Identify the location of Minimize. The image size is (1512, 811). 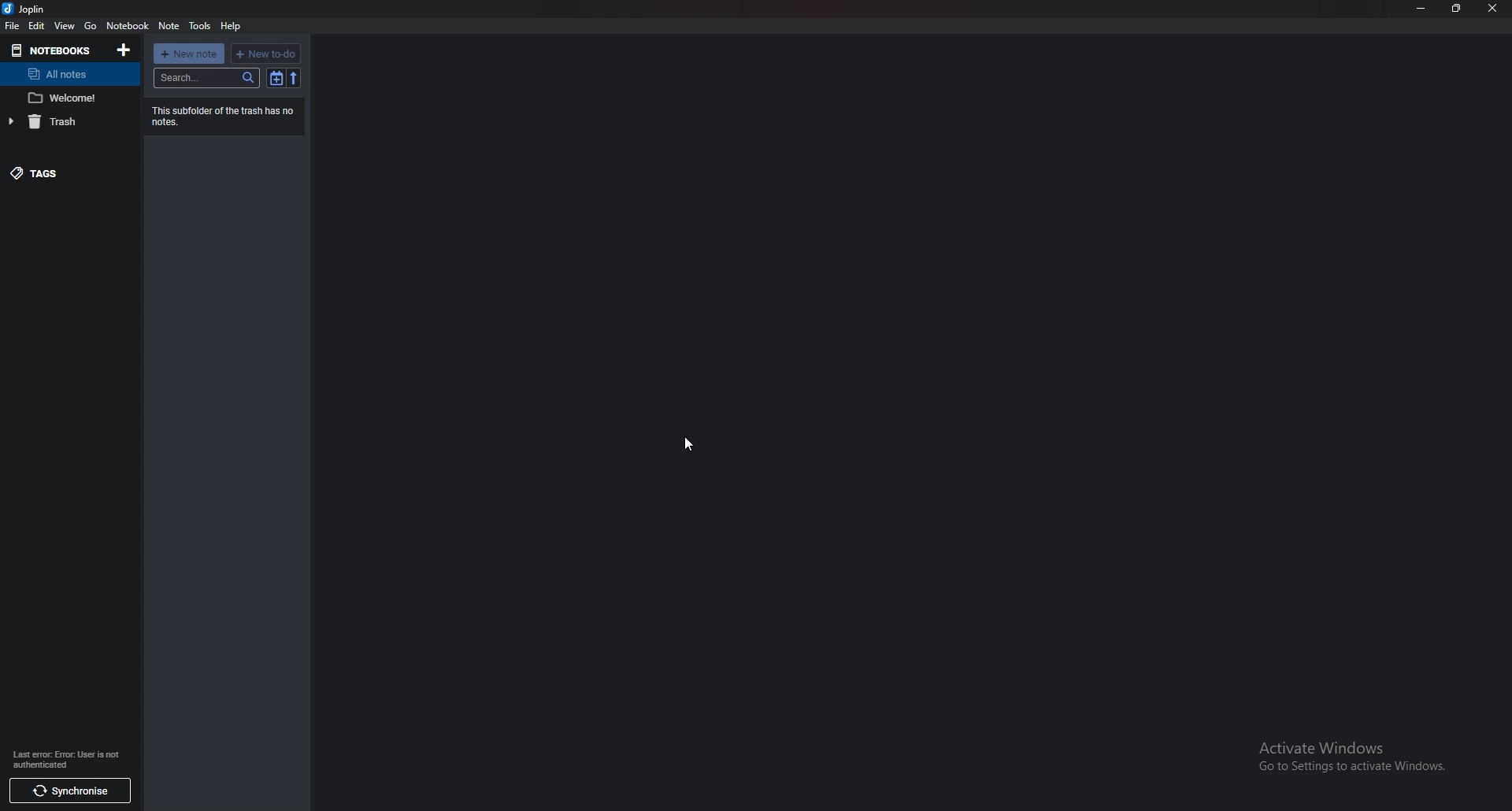
(1420, 9).